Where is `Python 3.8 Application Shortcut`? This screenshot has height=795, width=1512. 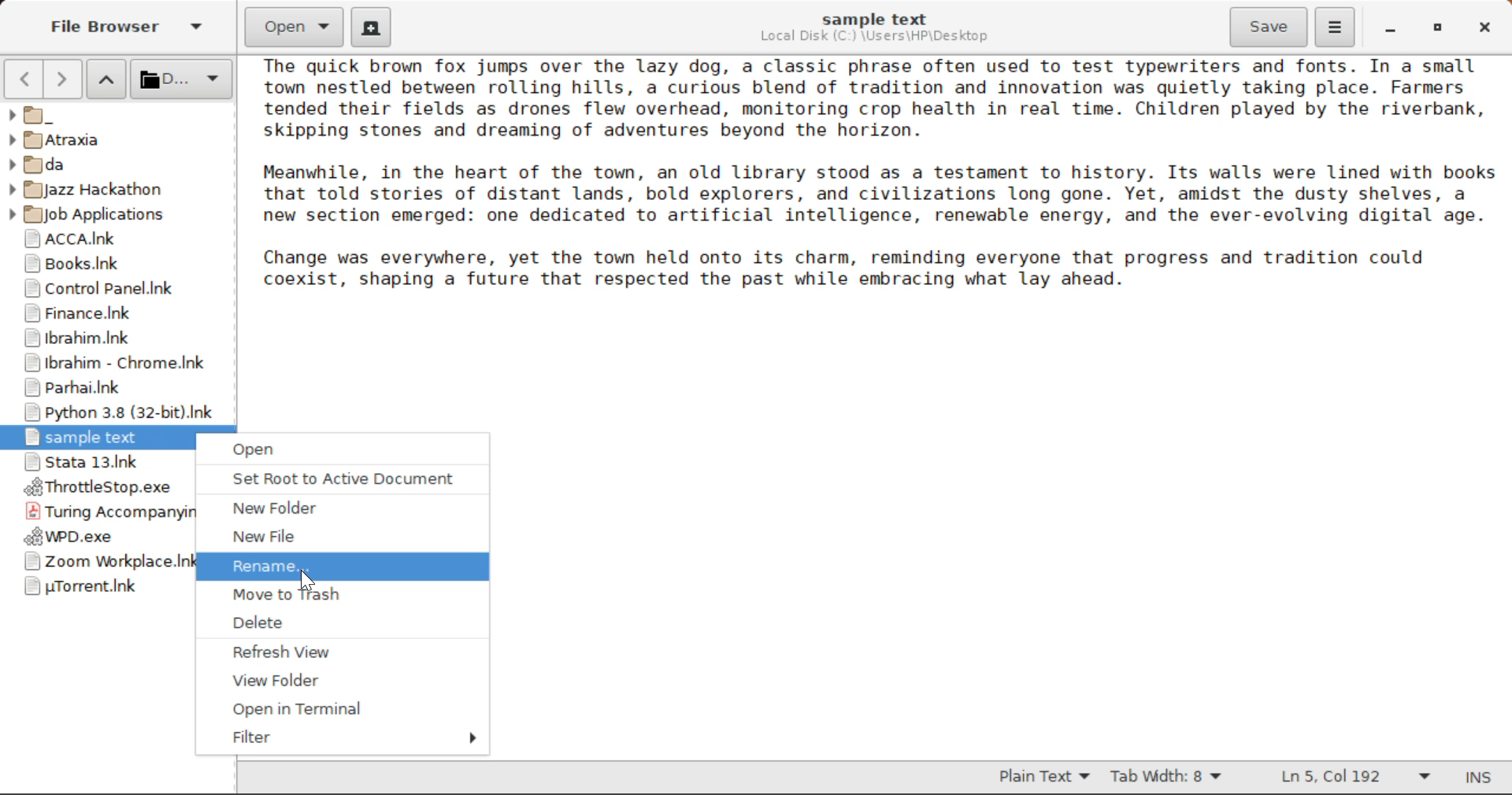
Python 3.8 Application Shortcut is located at coordinates (112, 412).